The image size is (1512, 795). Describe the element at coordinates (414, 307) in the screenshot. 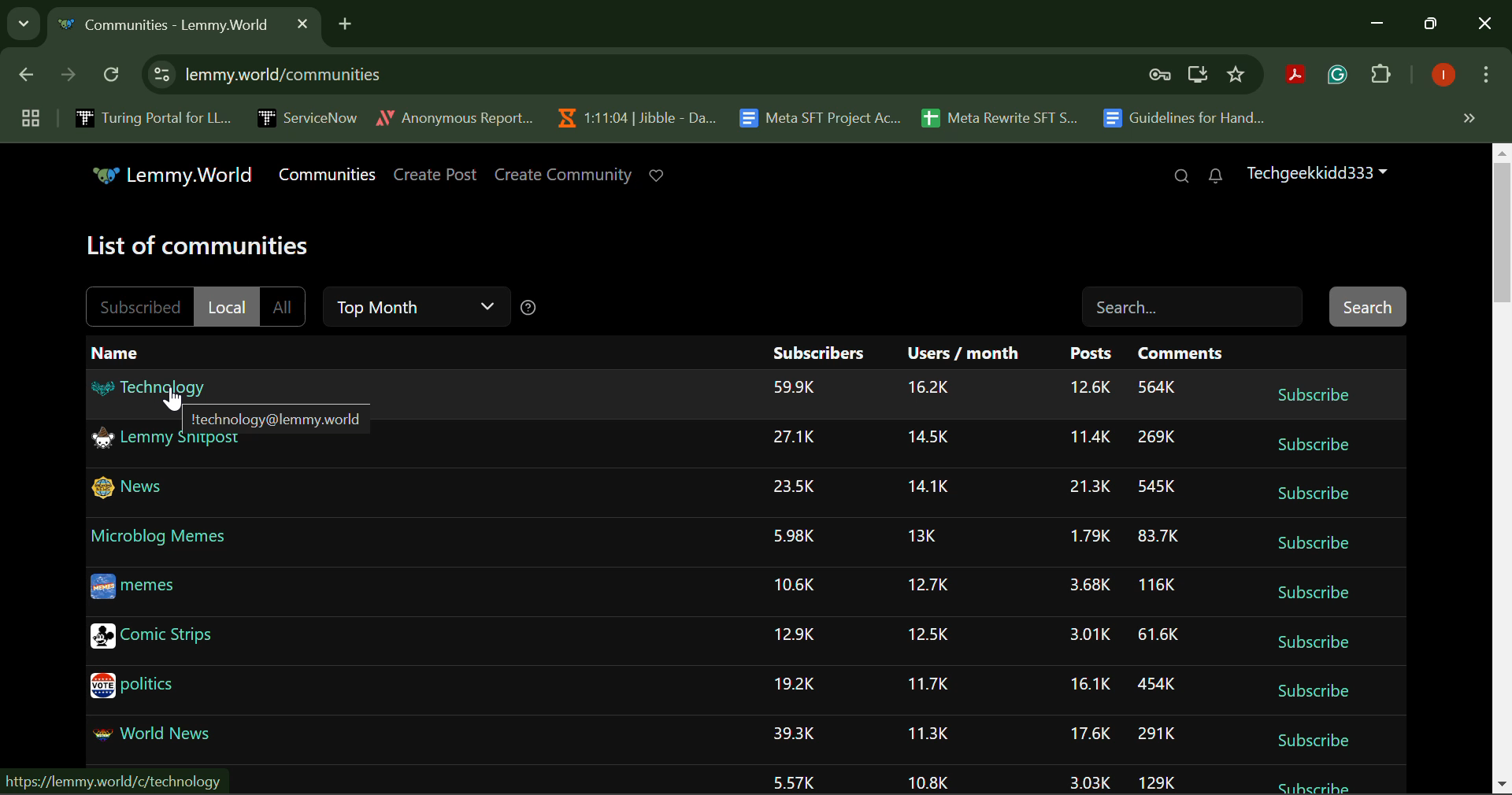

I see `Time Filter` at that location.